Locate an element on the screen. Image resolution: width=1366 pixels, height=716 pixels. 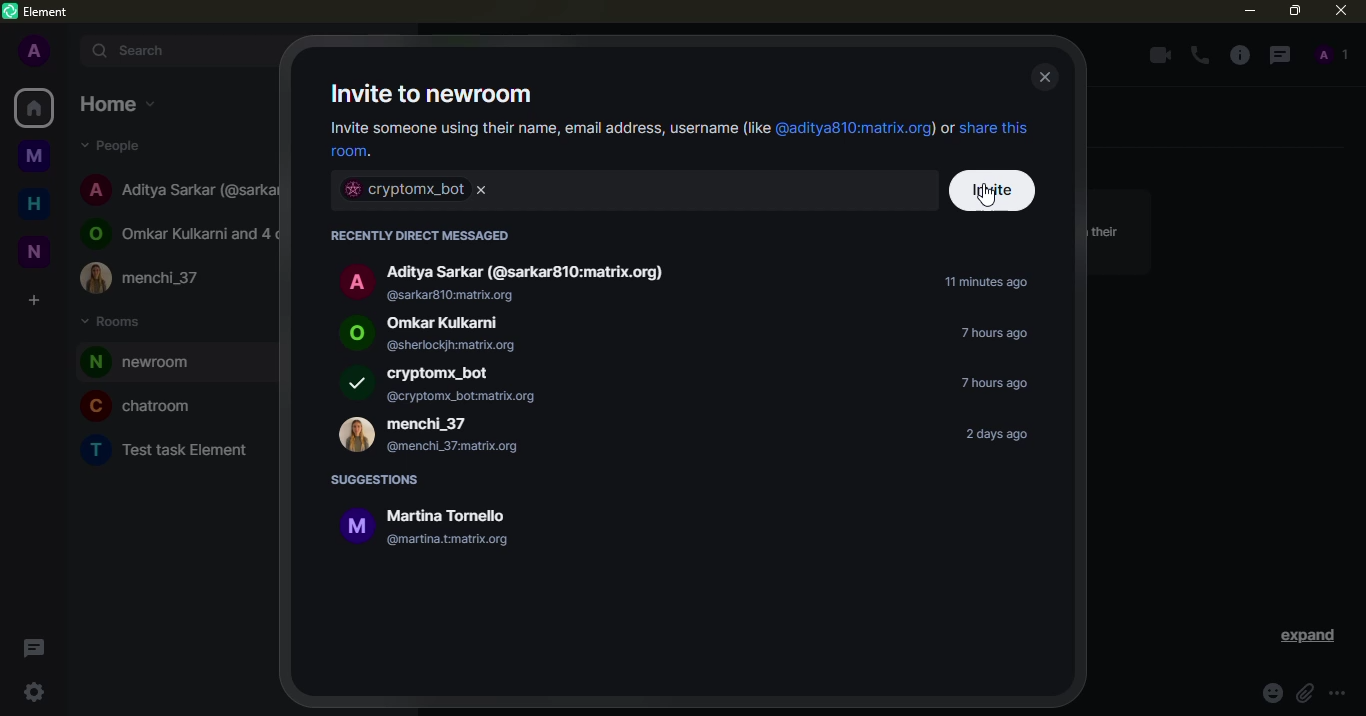
time is located at coordinates (979, 386).